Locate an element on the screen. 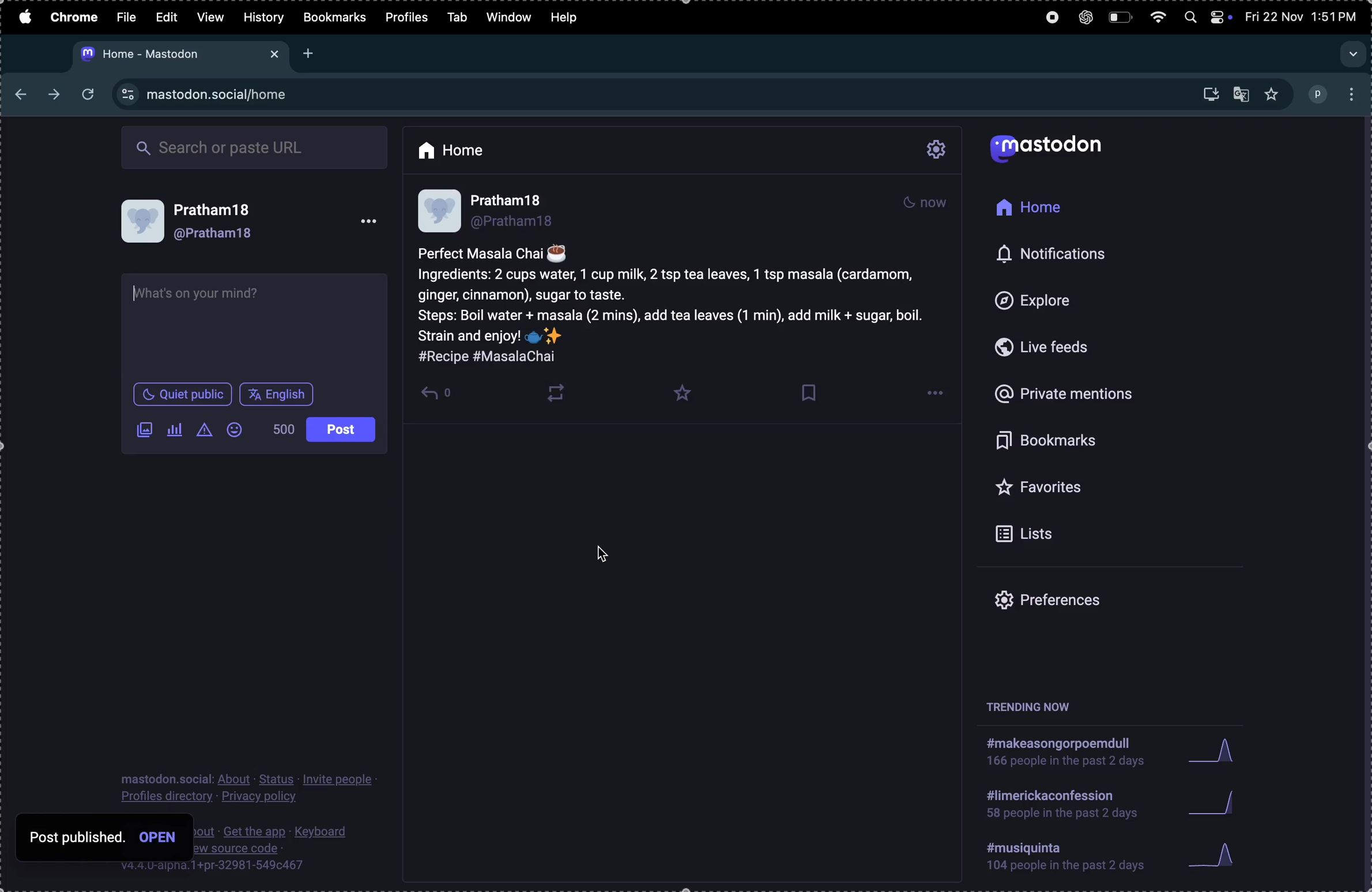 The height and width of the screenshot is (892, 1372). options is located at coordinates (1348, 92).